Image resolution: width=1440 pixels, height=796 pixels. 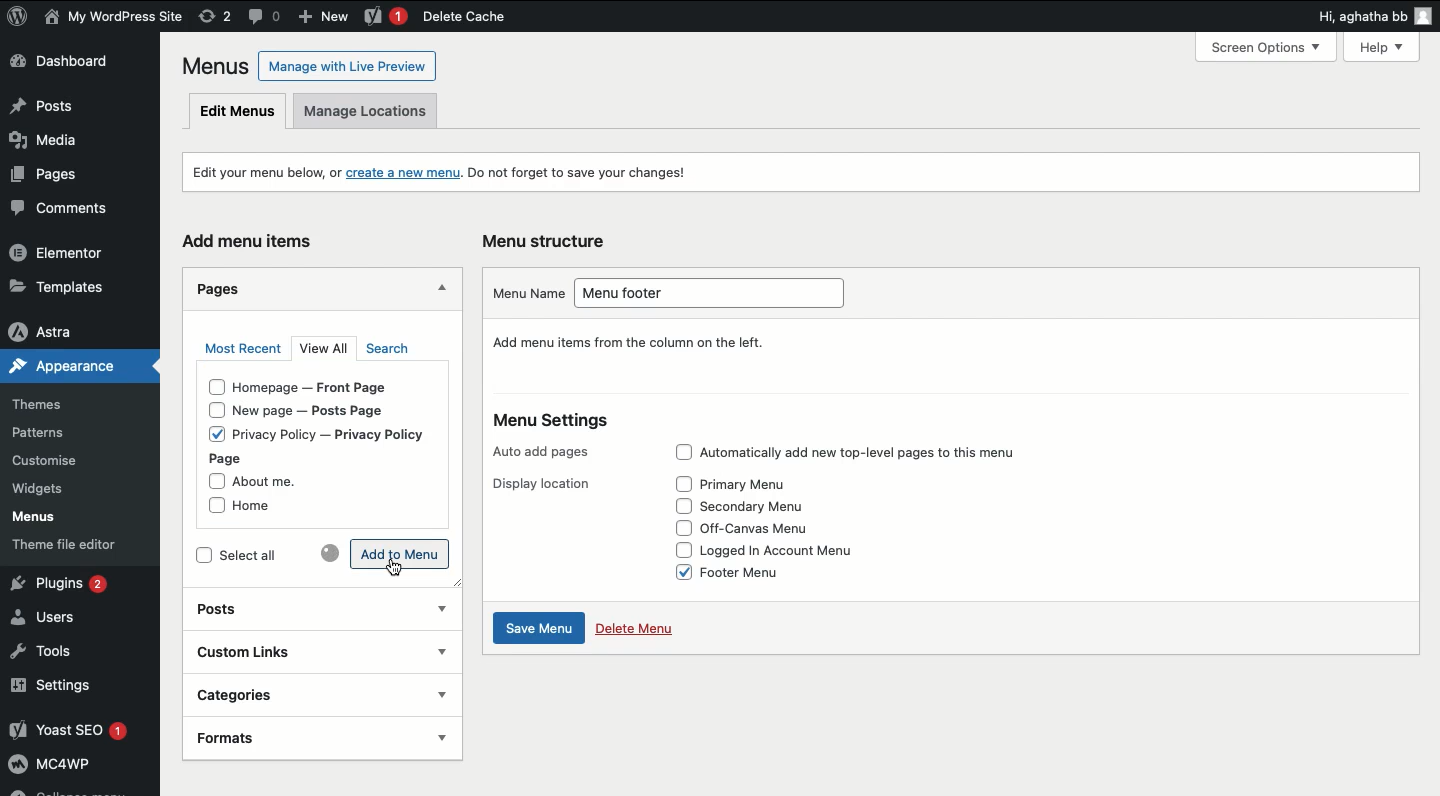 I want to click on Theme file editor, so click(x=81, y=548).